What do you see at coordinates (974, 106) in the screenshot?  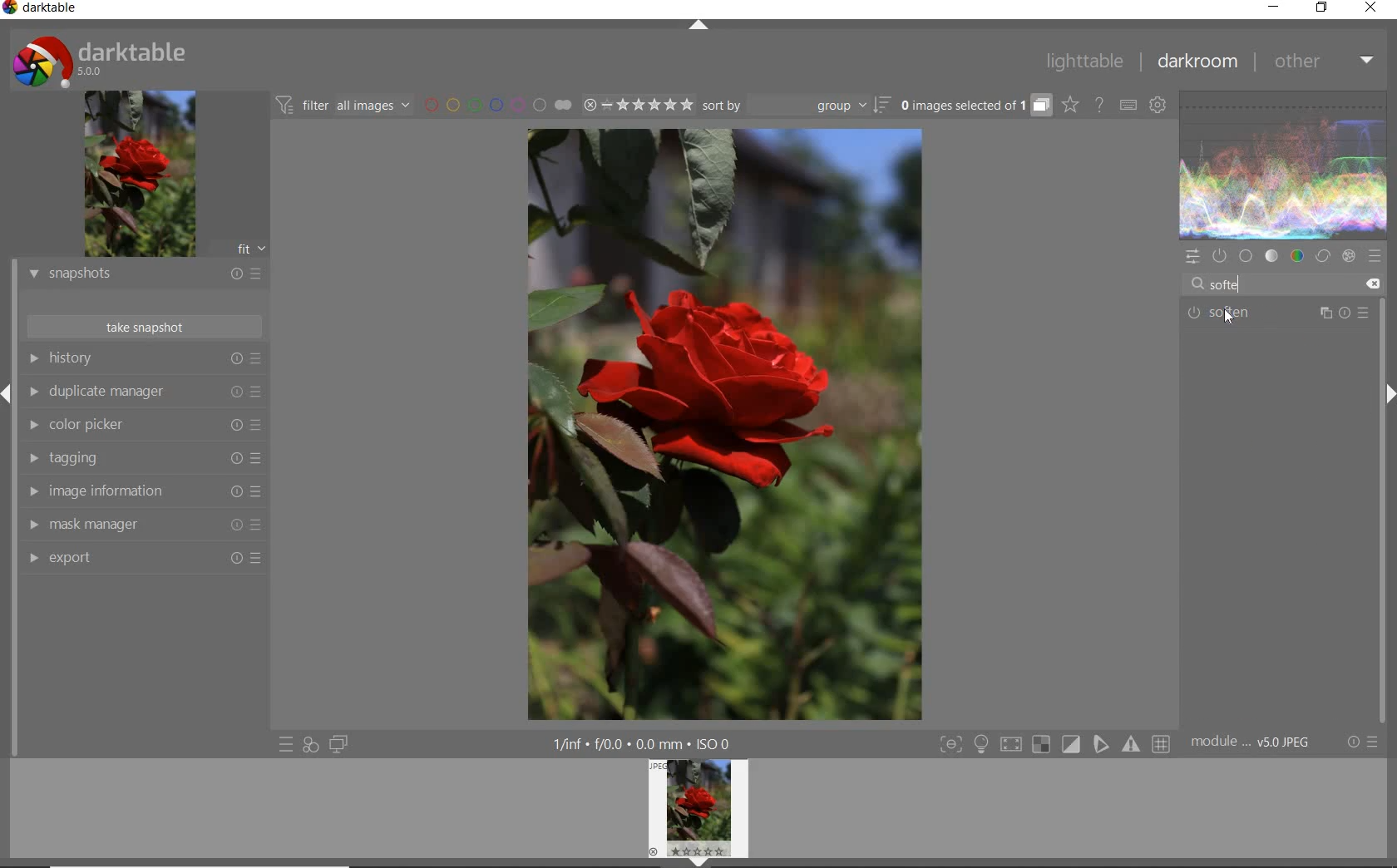 I see `grouped images` at bounding box center [974, 106].